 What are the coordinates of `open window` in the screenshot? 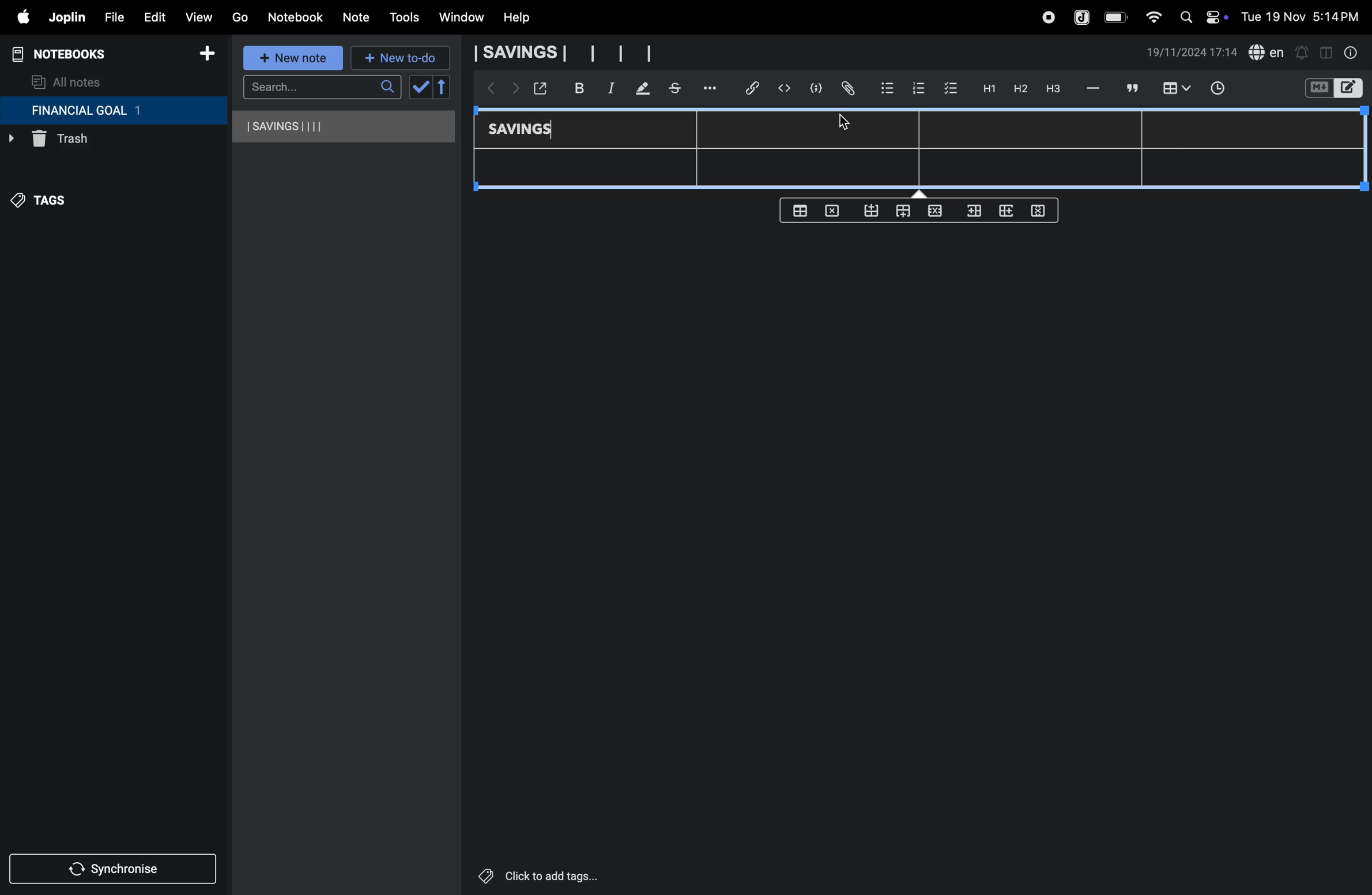 It's located at (539, 88).